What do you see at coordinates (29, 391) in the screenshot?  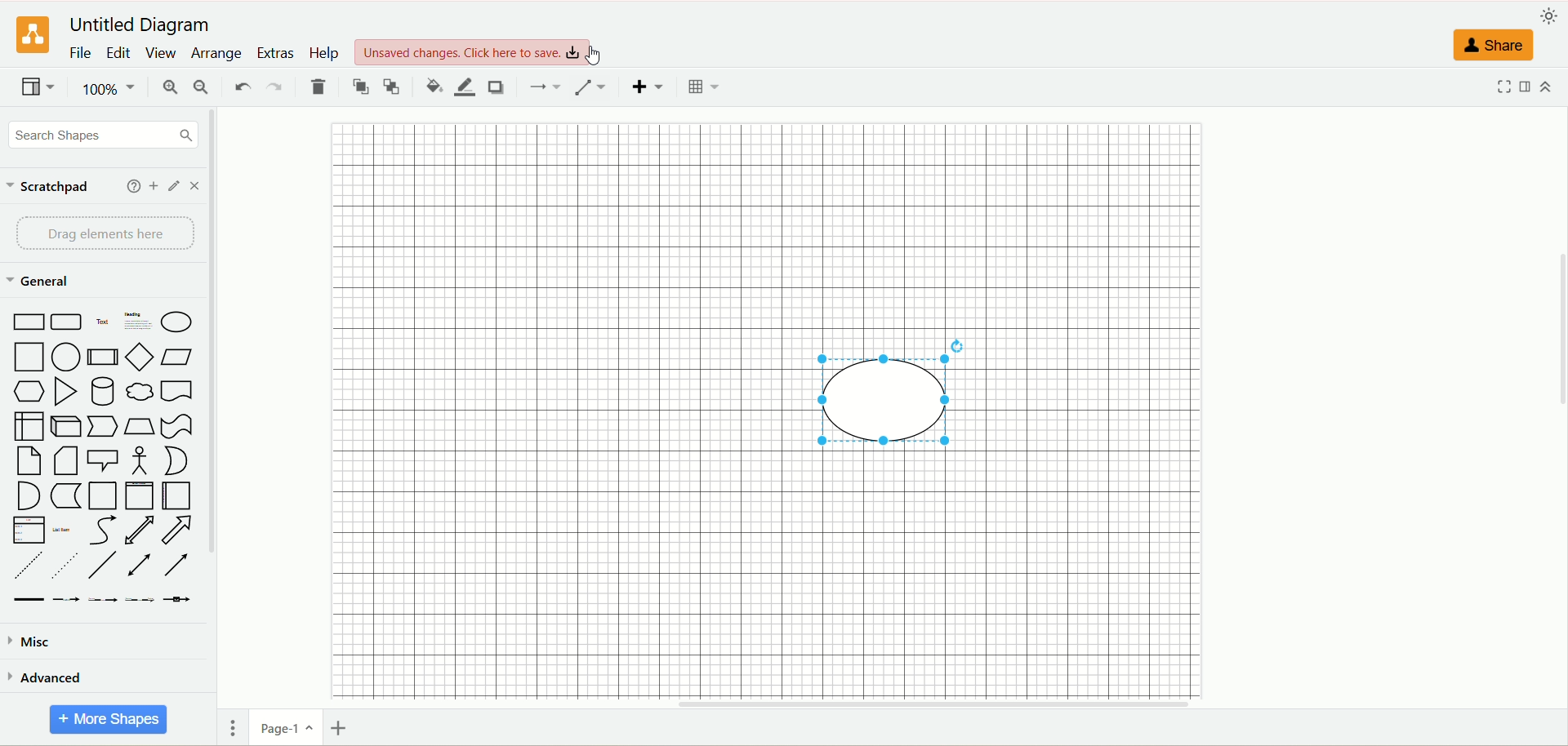 I see `hexagon` at bounding box center [29, 391].